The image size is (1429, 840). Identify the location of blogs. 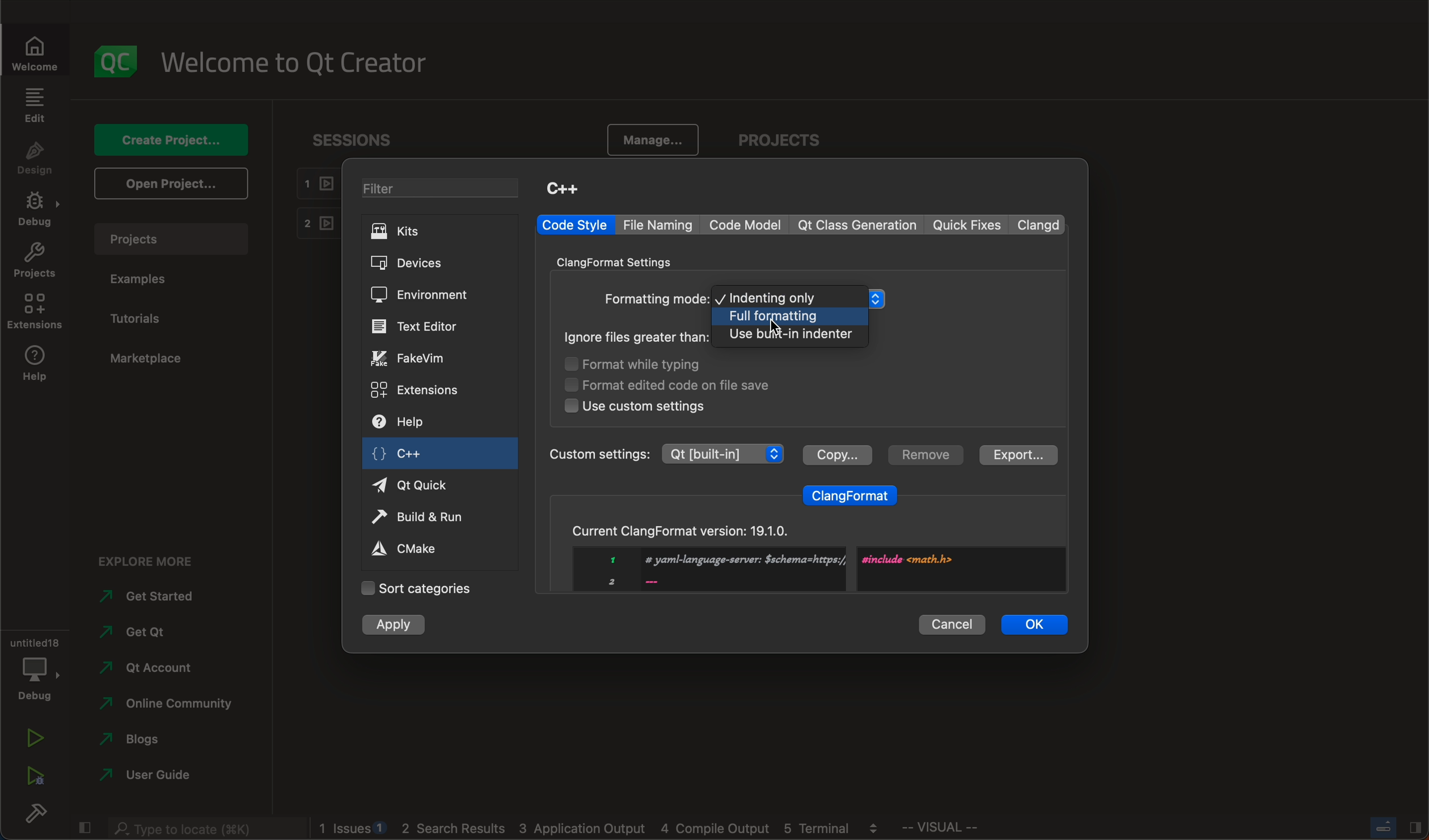
(147, 742).